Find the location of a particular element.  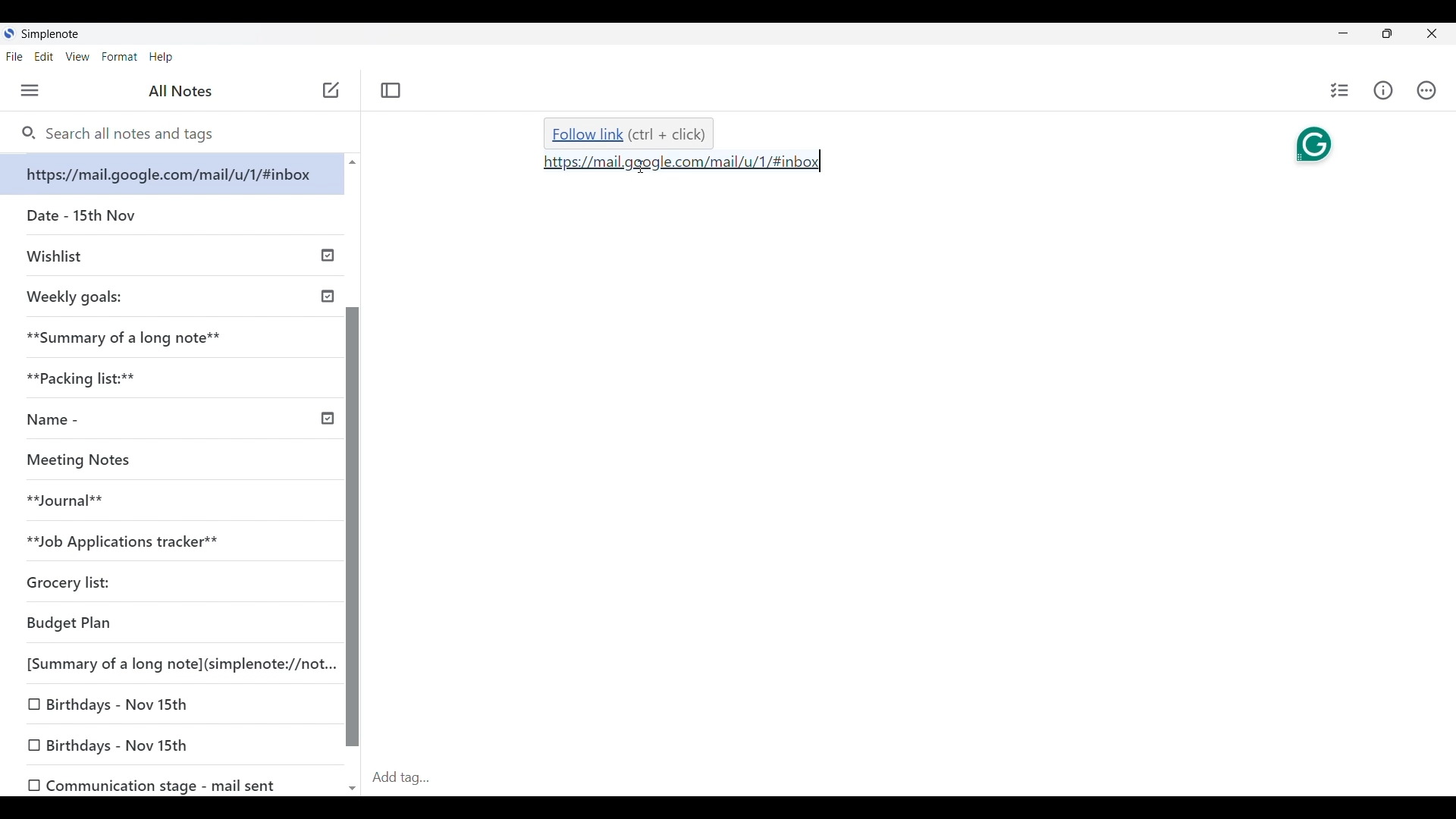

Name - is located at coordinates (54, 418).